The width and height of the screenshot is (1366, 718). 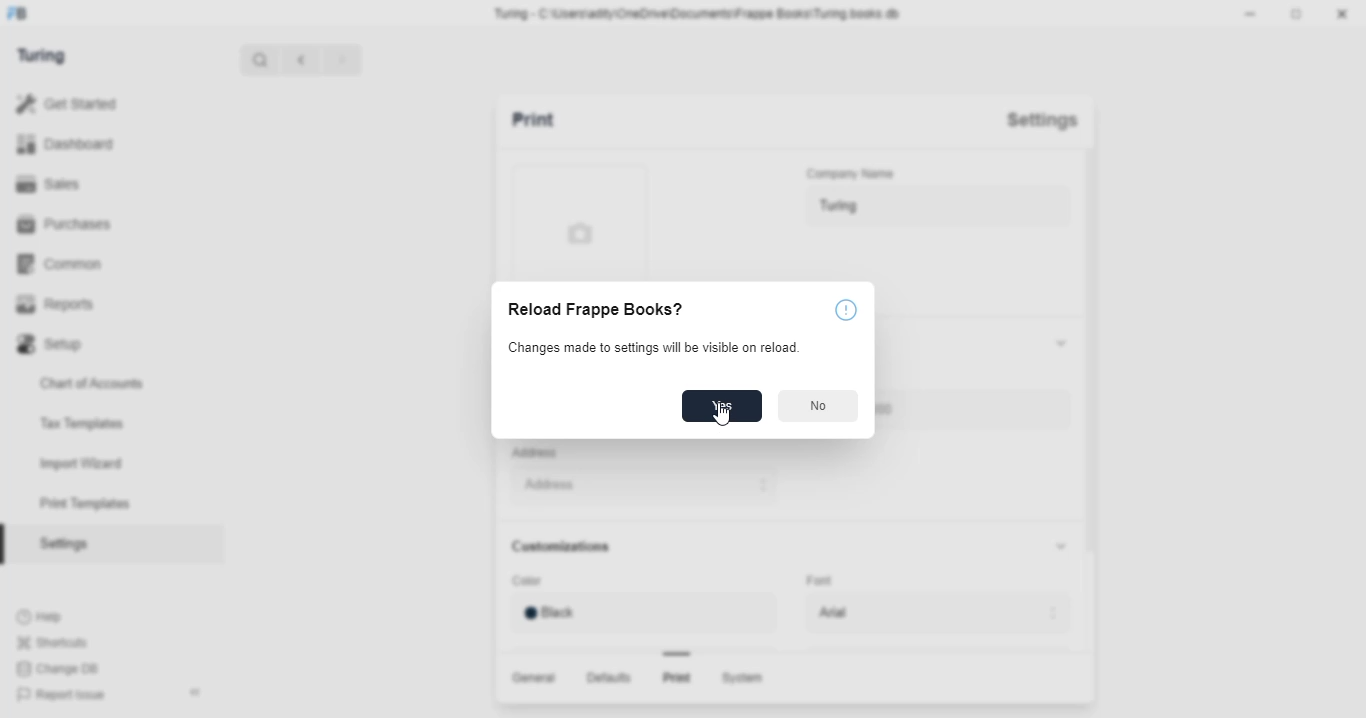 I want to click on minimise, so click(x=1253, y=14).